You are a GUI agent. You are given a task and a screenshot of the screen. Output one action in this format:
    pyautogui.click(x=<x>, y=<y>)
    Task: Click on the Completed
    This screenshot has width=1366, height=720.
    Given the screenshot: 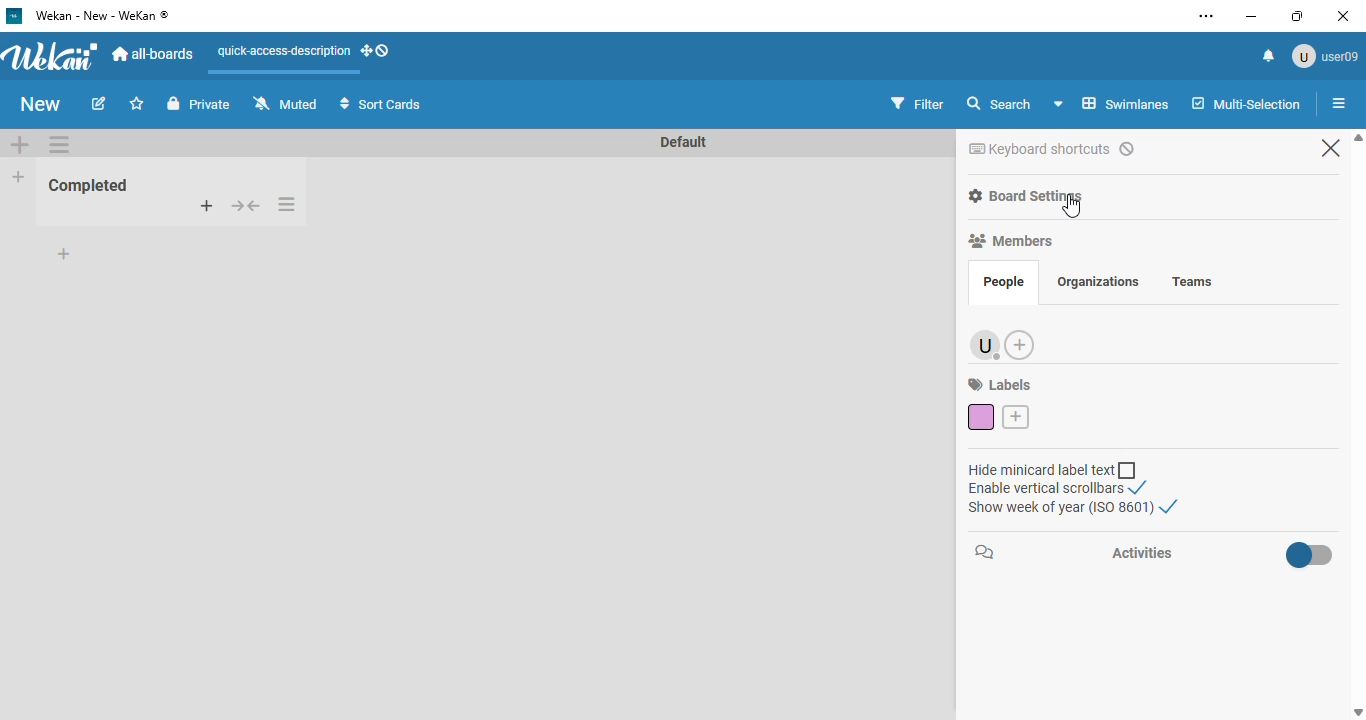 What is the action you would take?
    pyautogui.click(x=90, y=185)
    